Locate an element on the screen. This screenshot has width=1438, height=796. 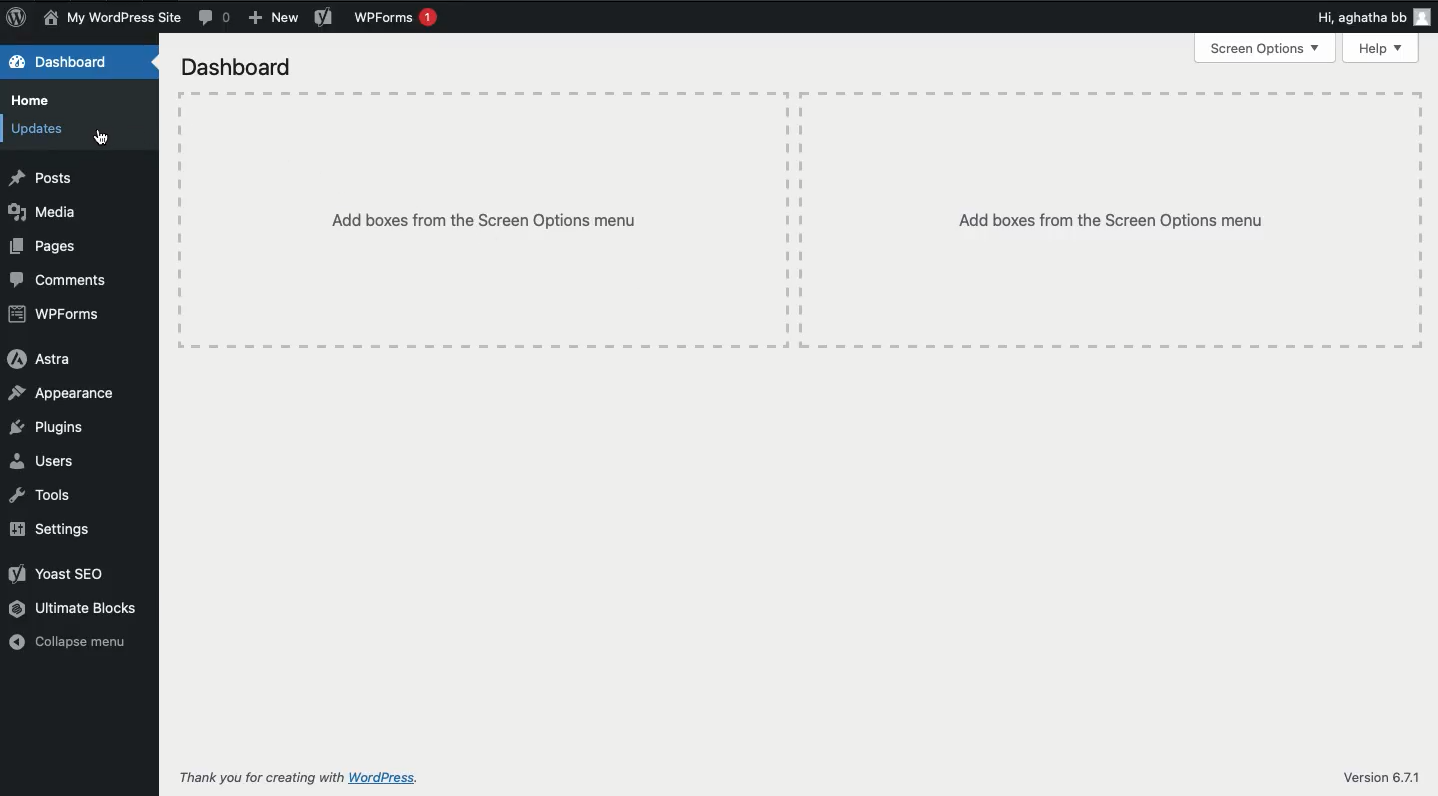
Hi user is located at coordinates (1373, 17).